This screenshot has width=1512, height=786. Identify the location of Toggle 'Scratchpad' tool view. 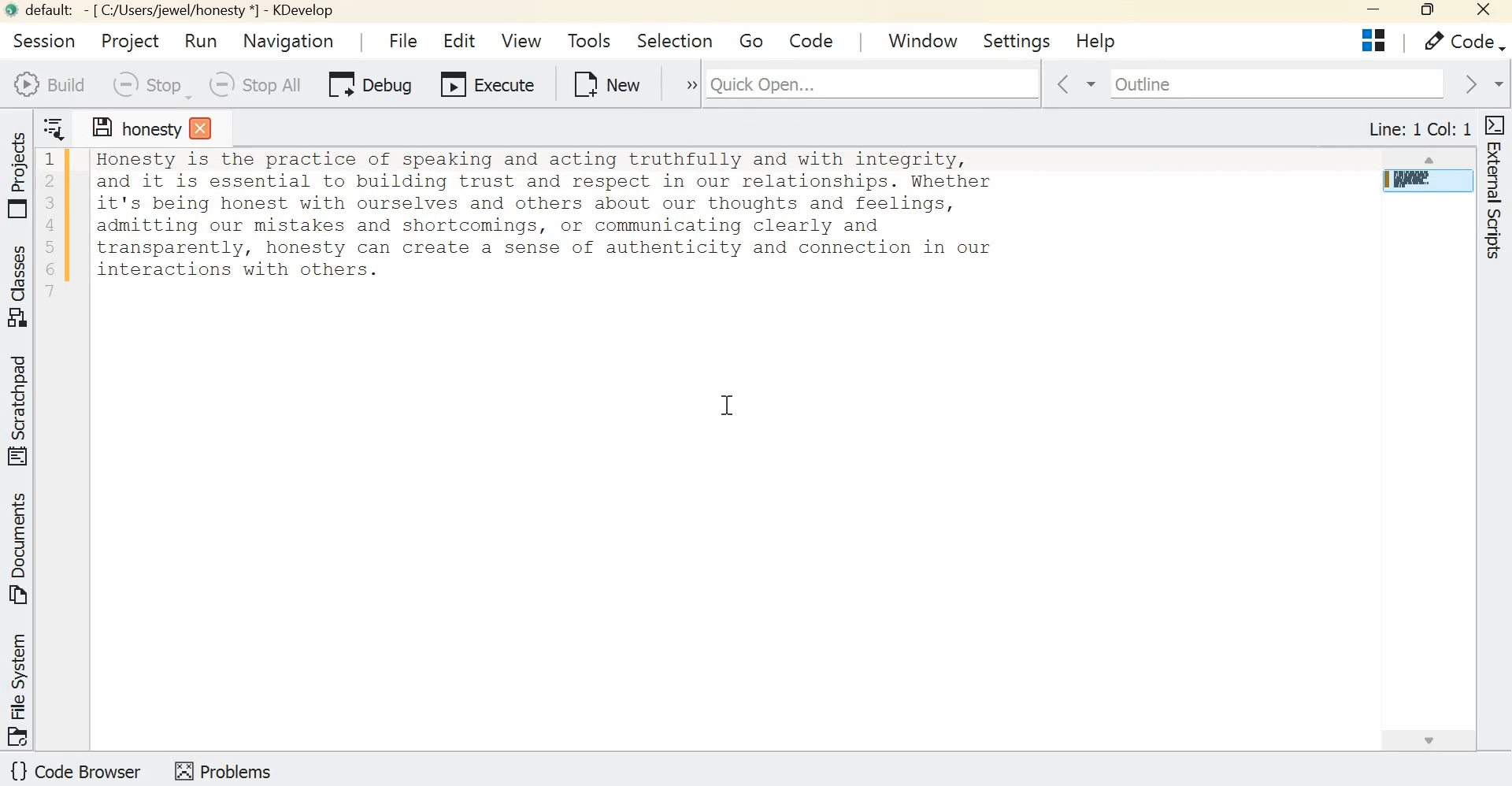
(21, 409).